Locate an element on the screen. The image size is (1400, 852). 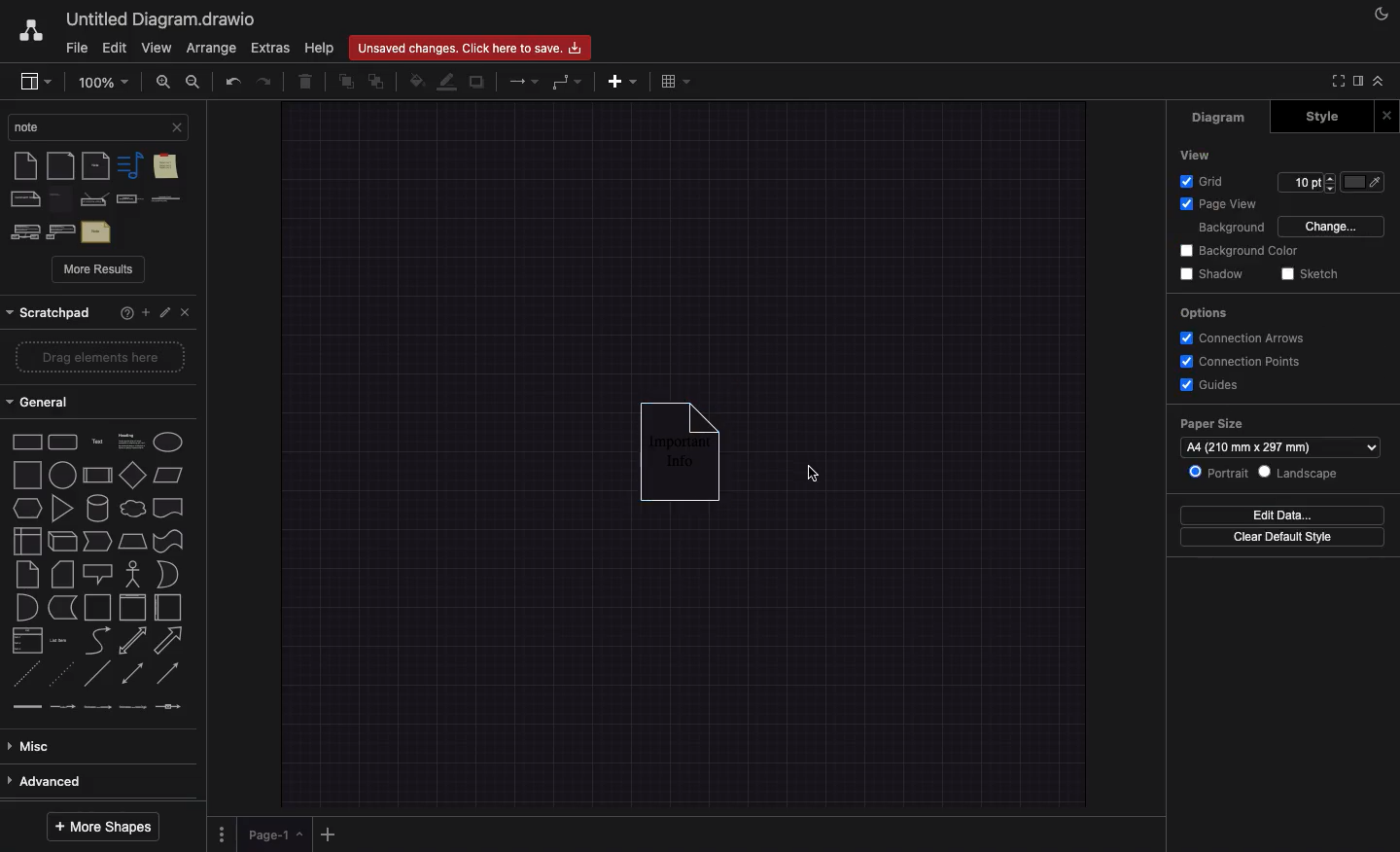
Shadow is located at coordinates (1215, 274).